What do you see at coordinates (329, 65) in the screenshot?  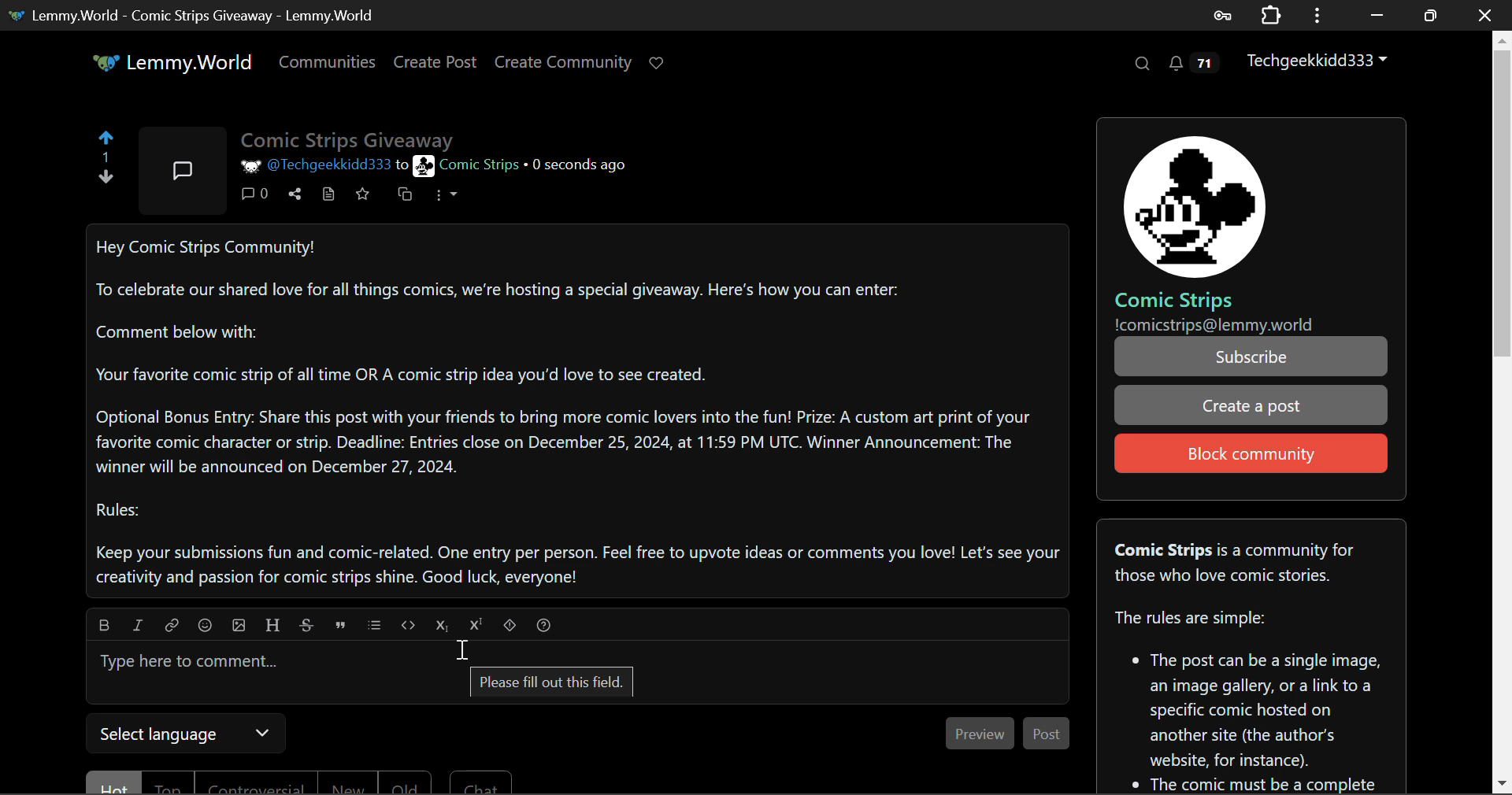 I see `Communities` at bounding box center [329, 65].